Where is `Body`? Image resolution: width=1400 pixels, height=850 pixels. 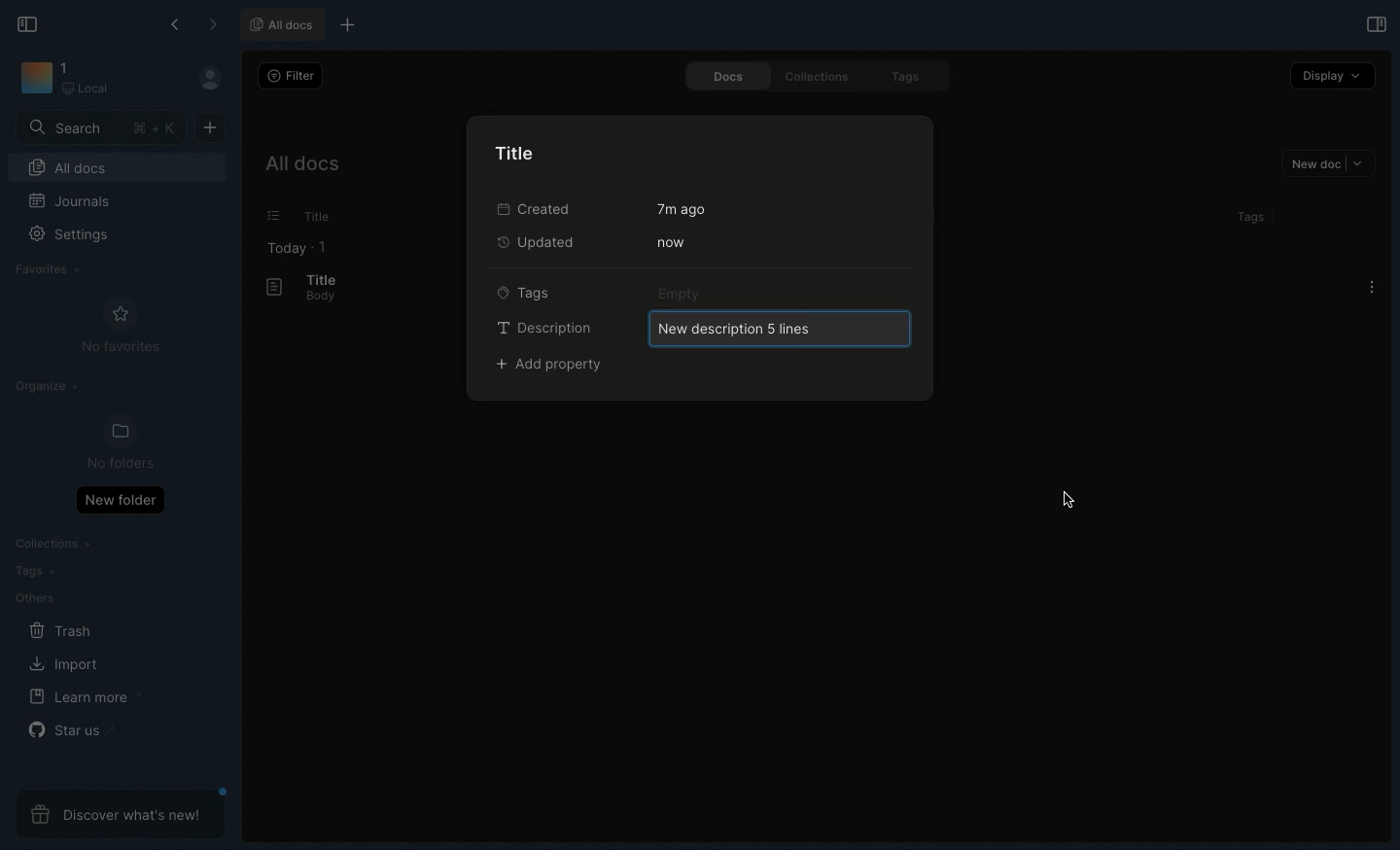 Body is located at coordinates (314, 298).